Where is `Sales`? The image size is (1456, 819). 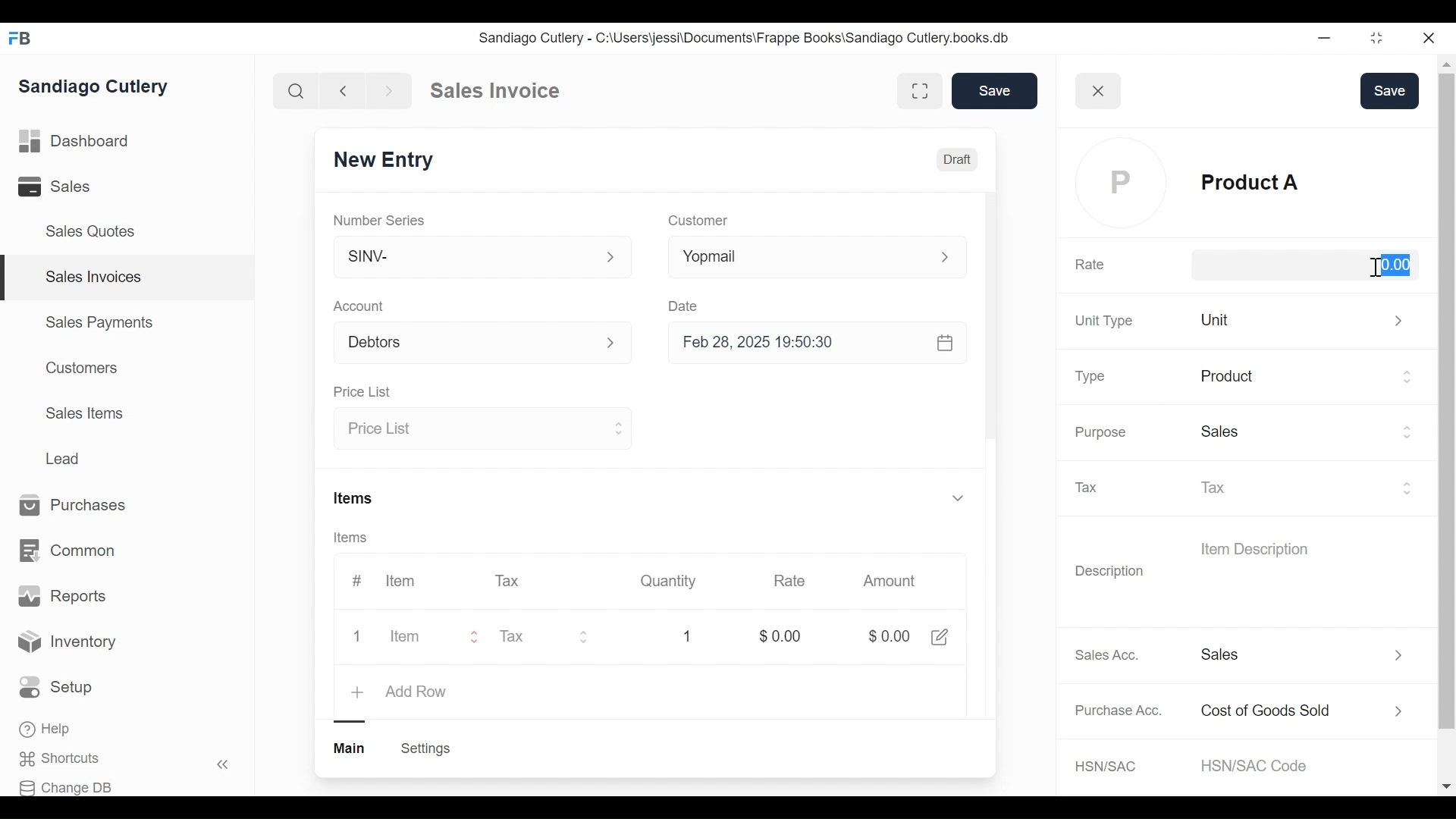 Sales is located at coordinates (1307, 434).